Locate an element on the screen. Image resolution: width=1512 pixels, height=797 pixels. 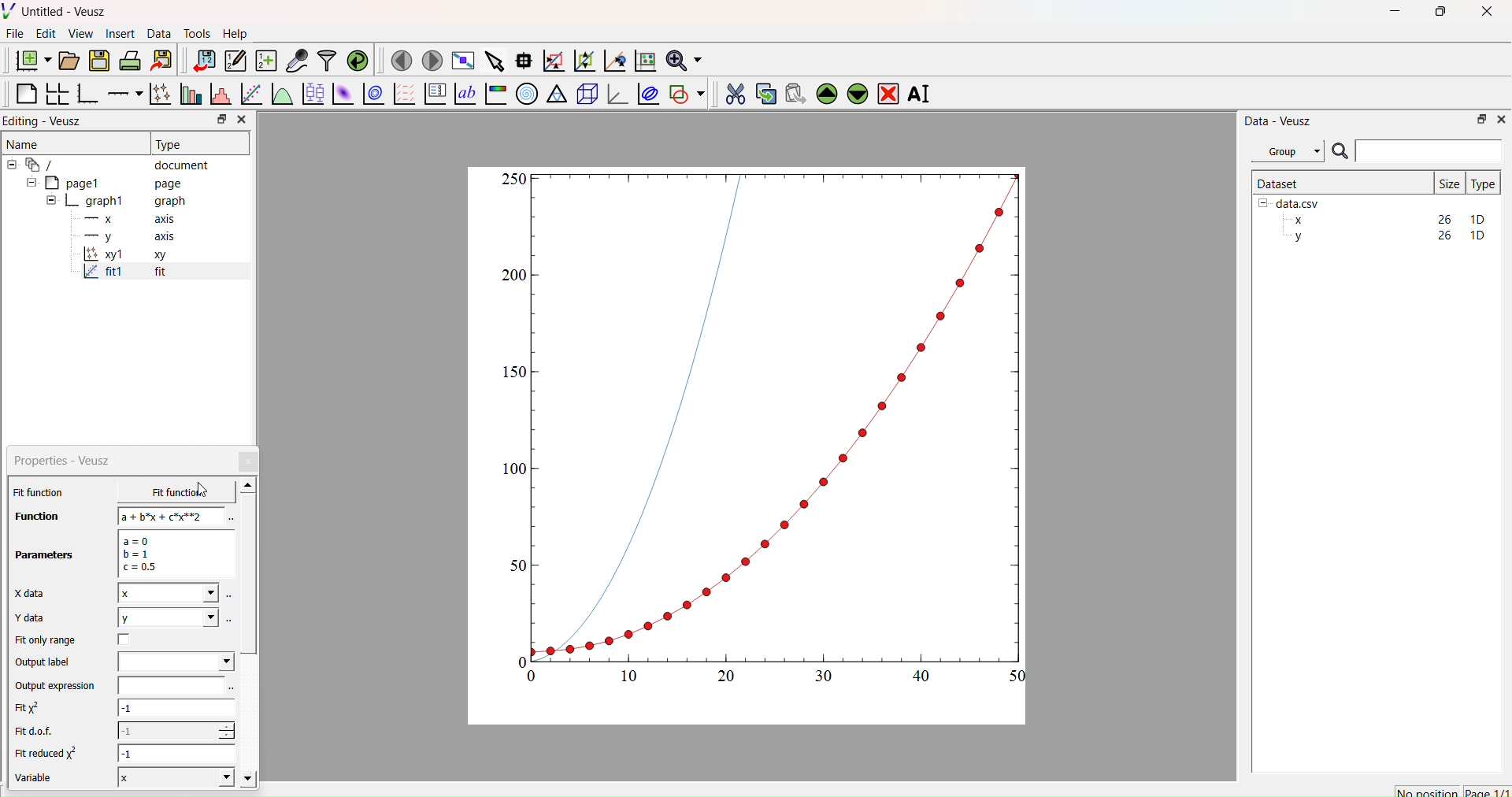
Import data is located at coordinates (200, 61).